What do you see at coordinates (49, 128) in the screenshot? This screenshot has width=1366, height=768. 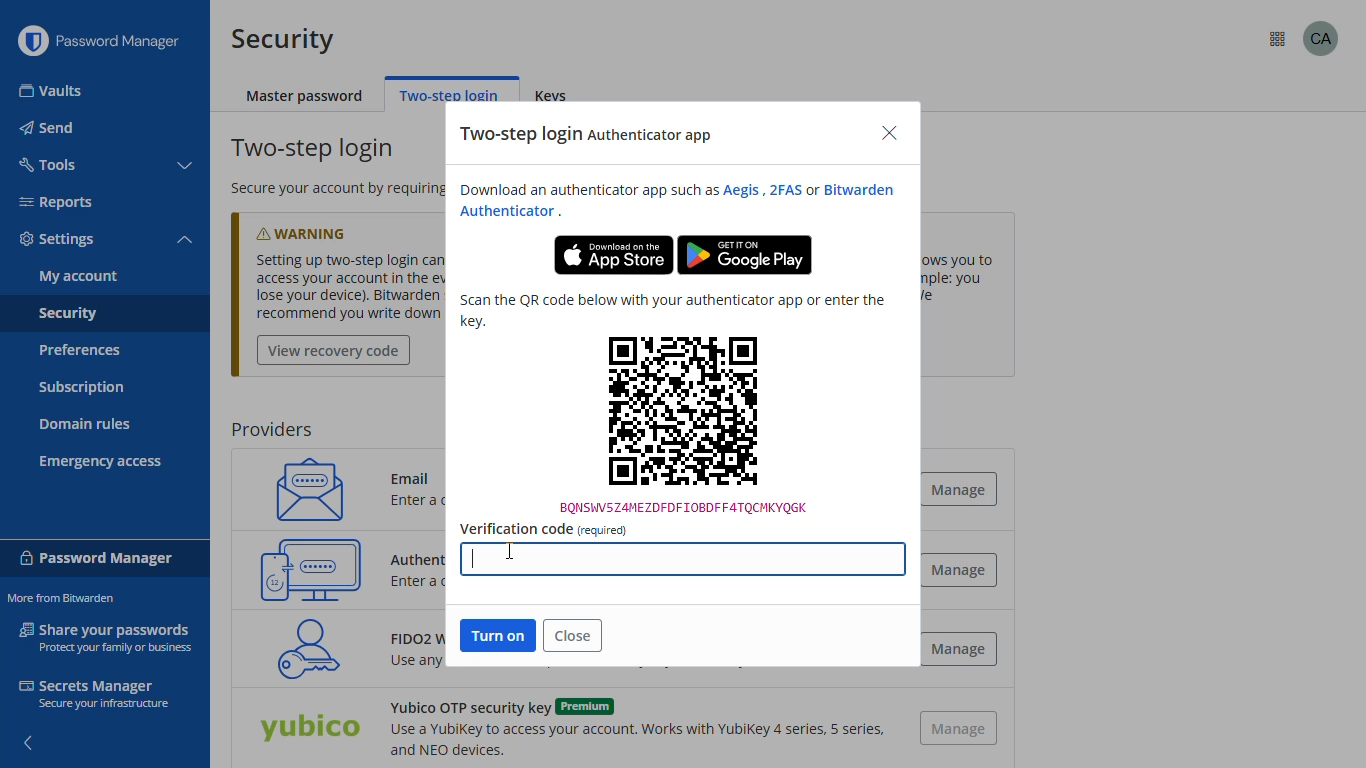 I see `send` at bounding box center [49, 128].